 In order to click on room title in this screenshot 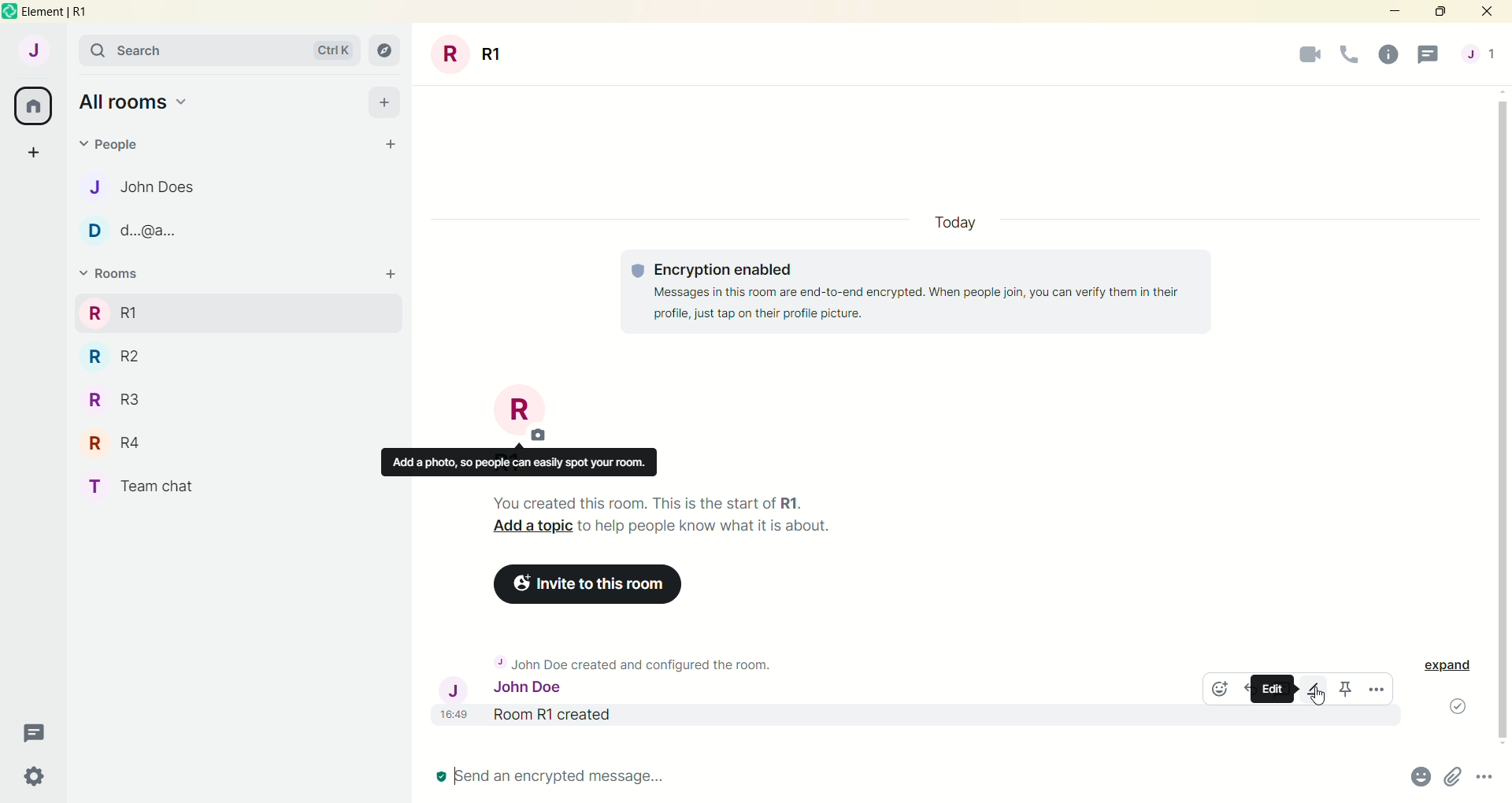, I will do `click(526, 418)`.